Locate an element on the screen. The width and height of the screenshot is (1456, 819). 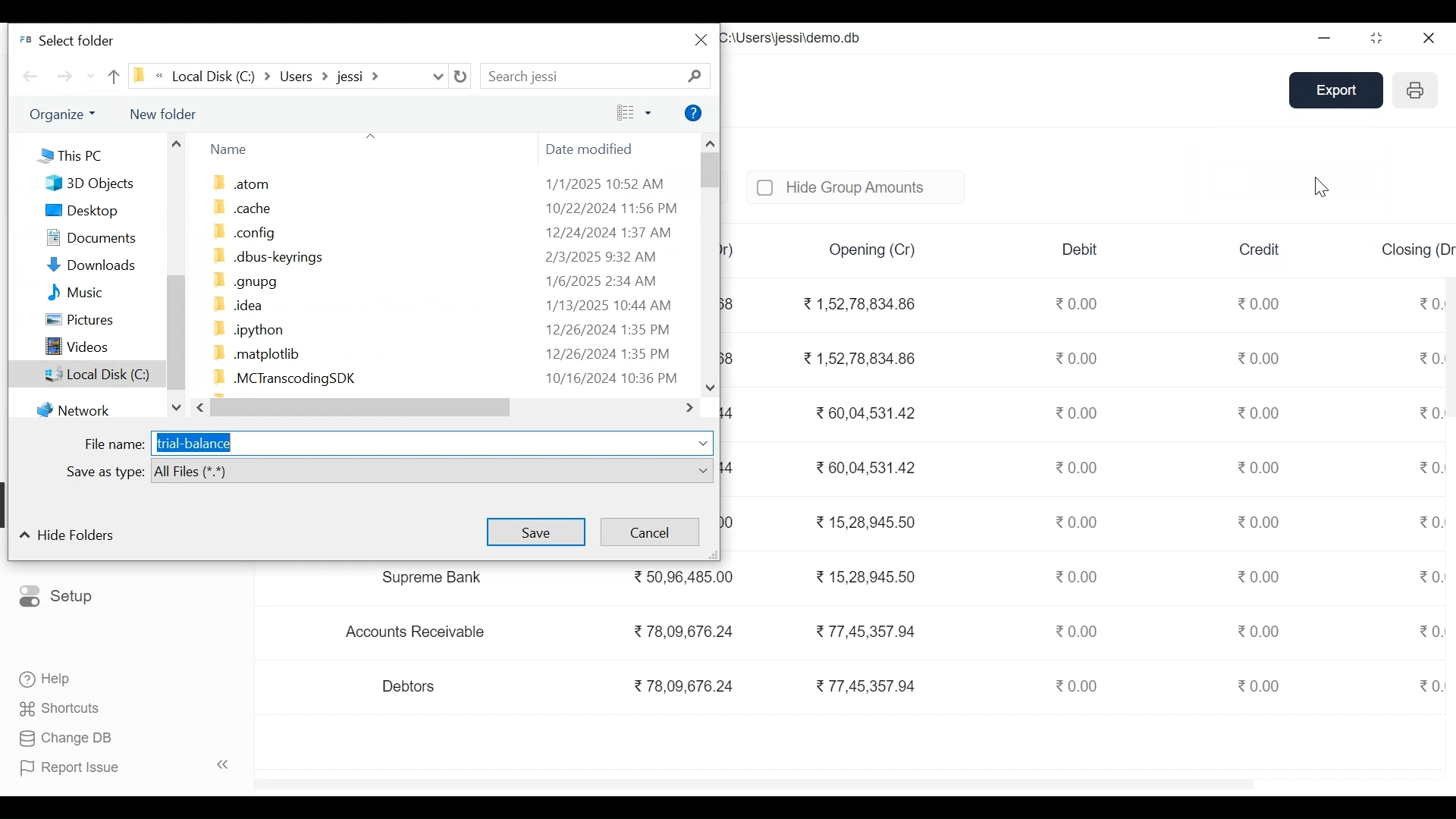
File name: | is located at coordinates (115, 444).